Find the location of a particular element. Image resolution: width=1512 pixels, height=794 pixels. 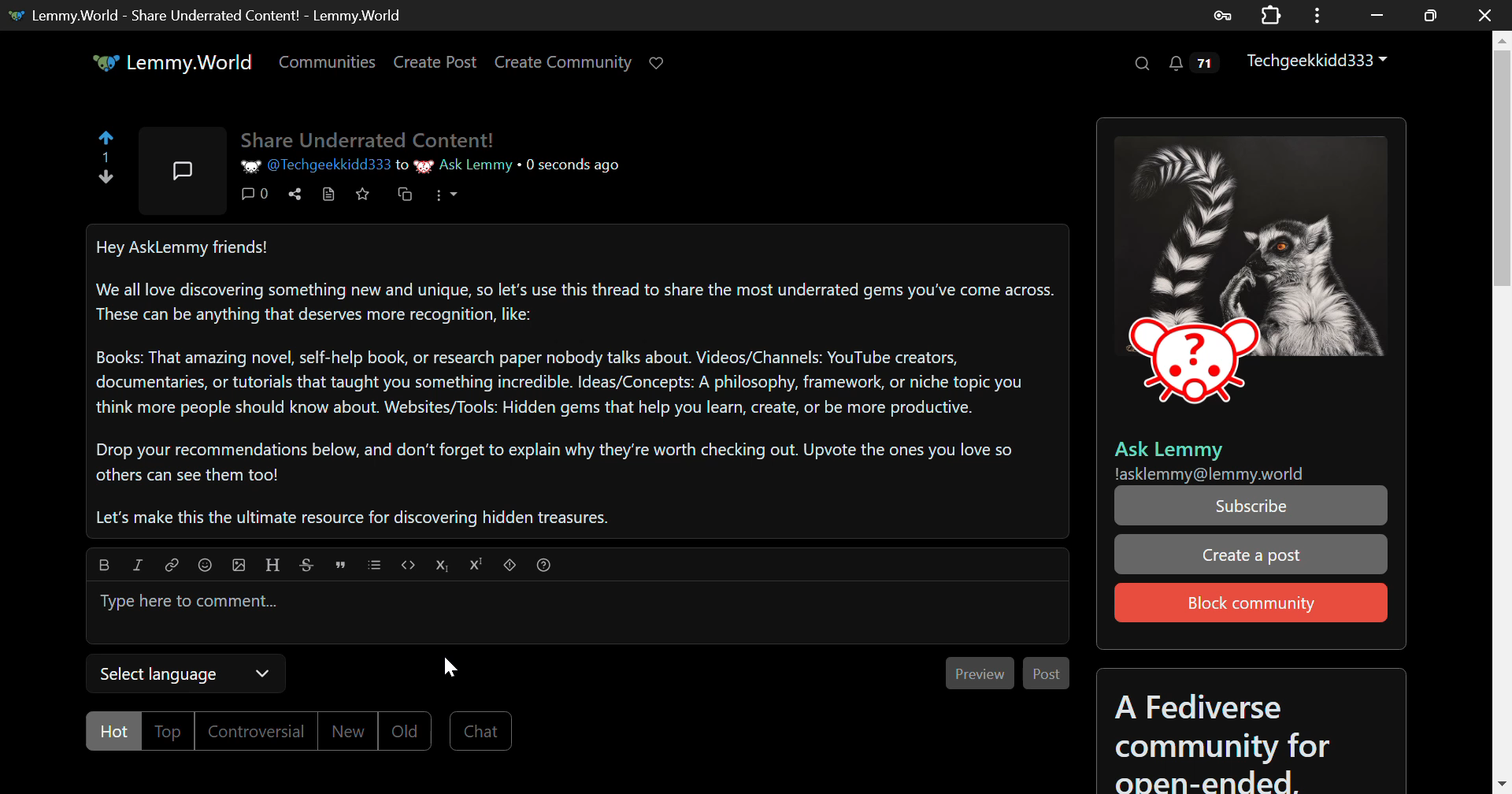

Votes Counter is located at coordinates (109, 159).